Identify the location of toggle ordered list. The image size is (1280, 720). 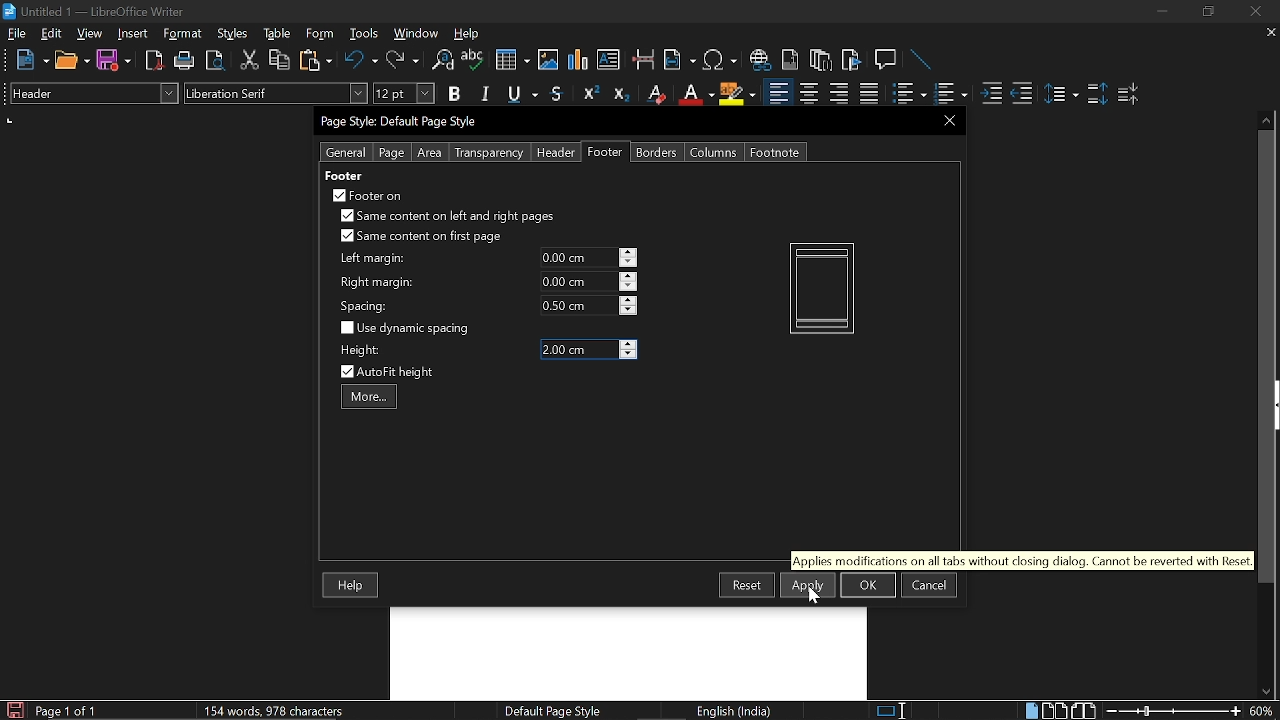
(909, 94).